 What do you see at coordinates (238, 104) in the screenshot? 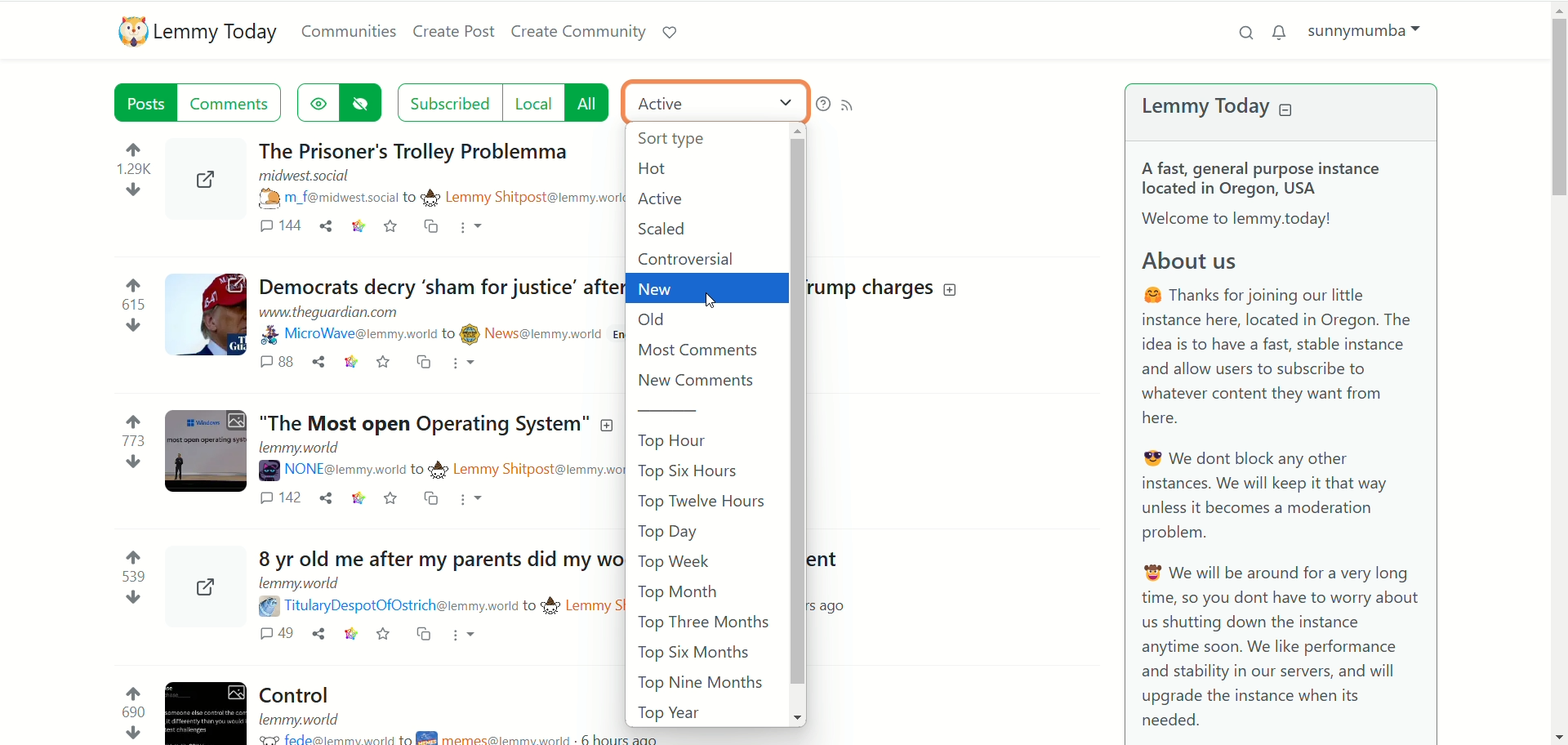
I see `comments` at bounding box center [238, 104].